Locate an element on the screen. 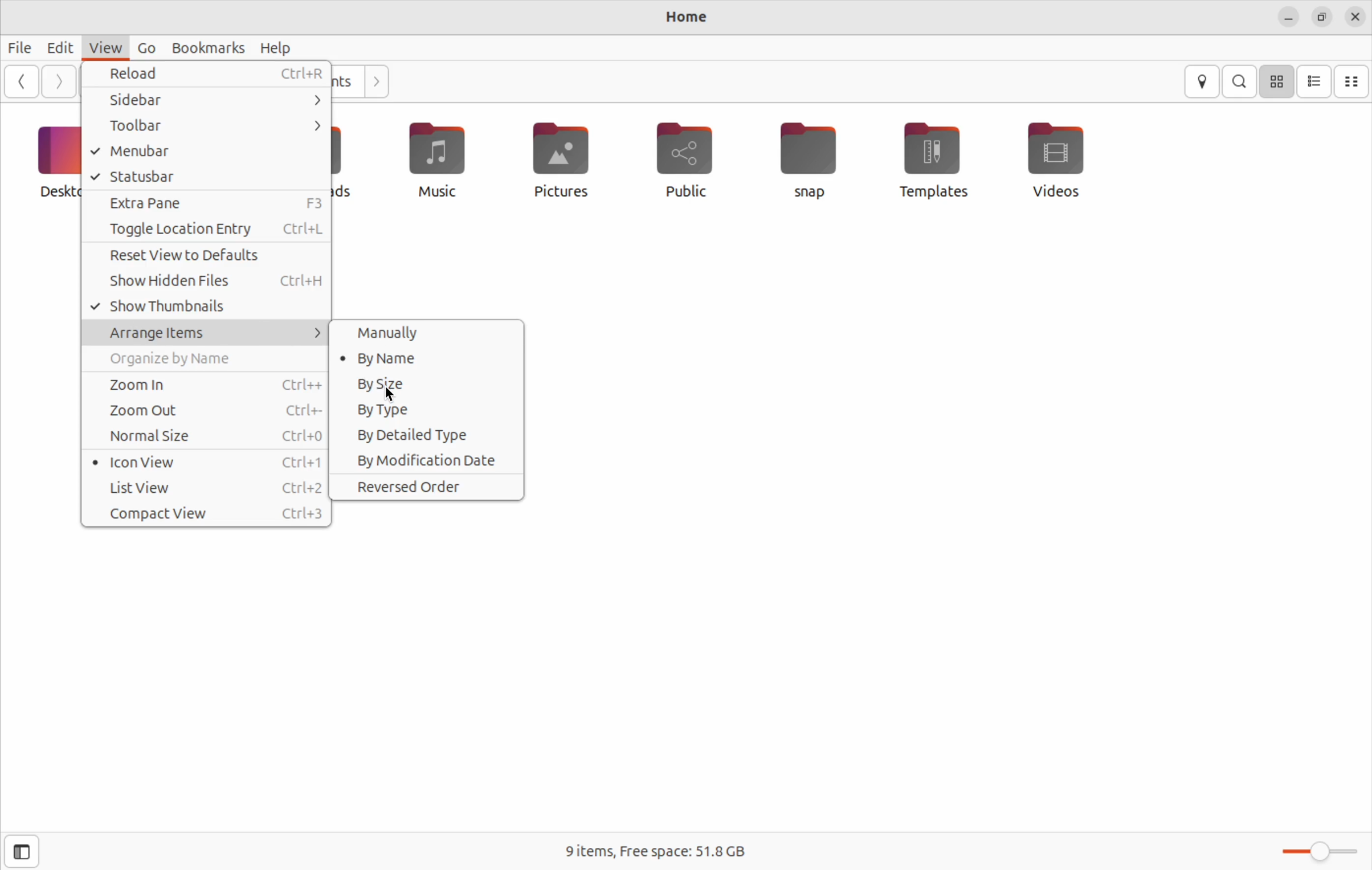 The width and height of the screenshot is (1372, 870). edit is located at coordinates (62, 47).